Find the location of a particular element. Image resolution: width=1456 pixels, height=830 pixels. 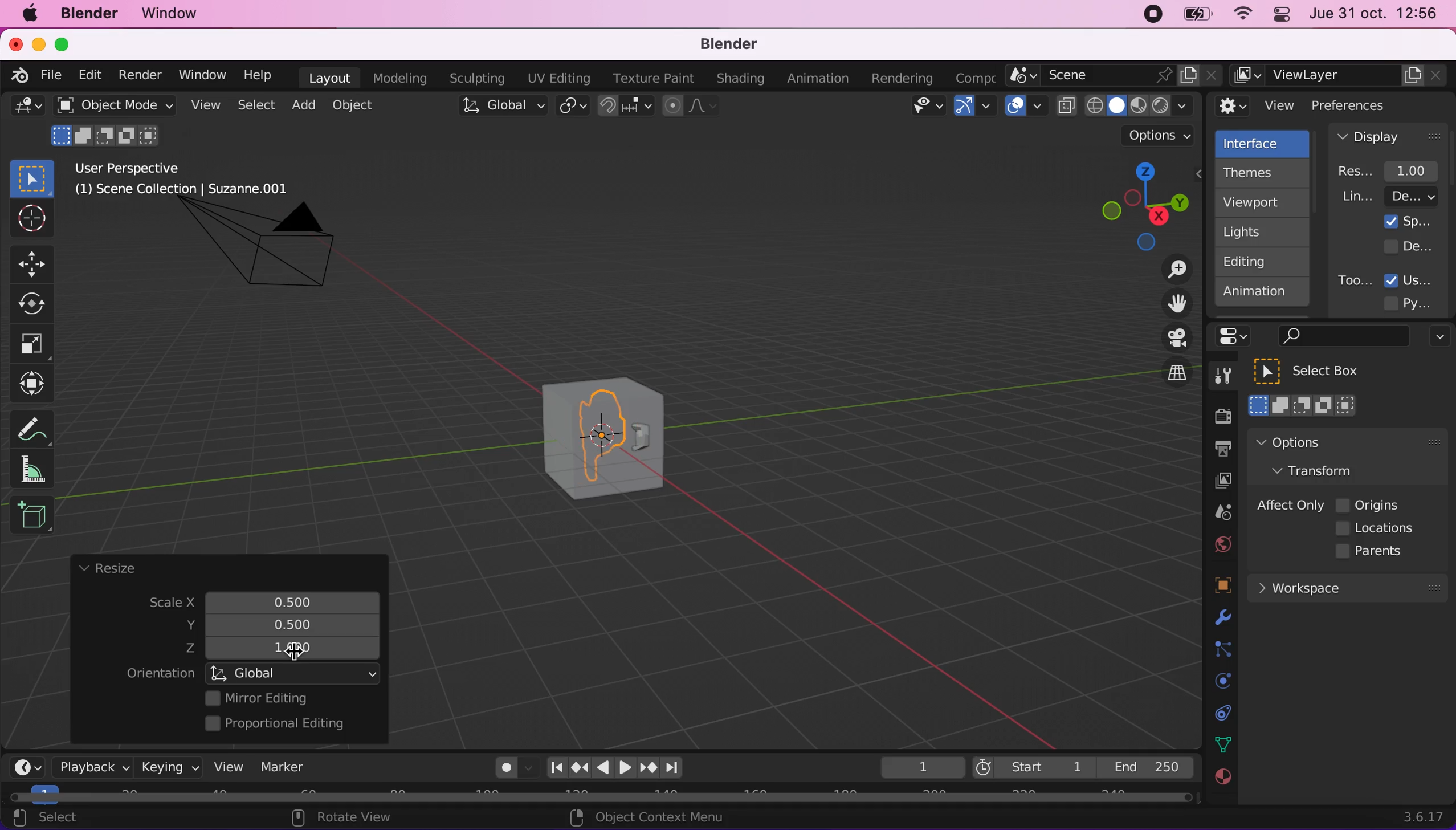

object mode is located at coordinates (111, 105).